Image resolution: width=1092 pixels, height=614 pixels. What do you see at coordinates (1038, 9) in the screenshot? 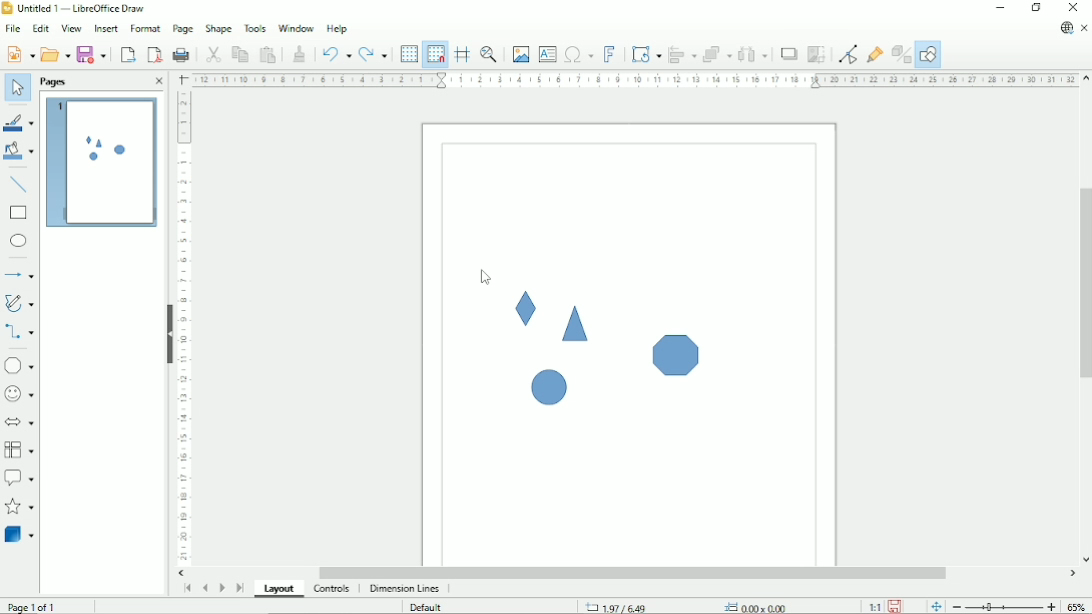
I see `Restore down` at bounding box center [1038, 9].